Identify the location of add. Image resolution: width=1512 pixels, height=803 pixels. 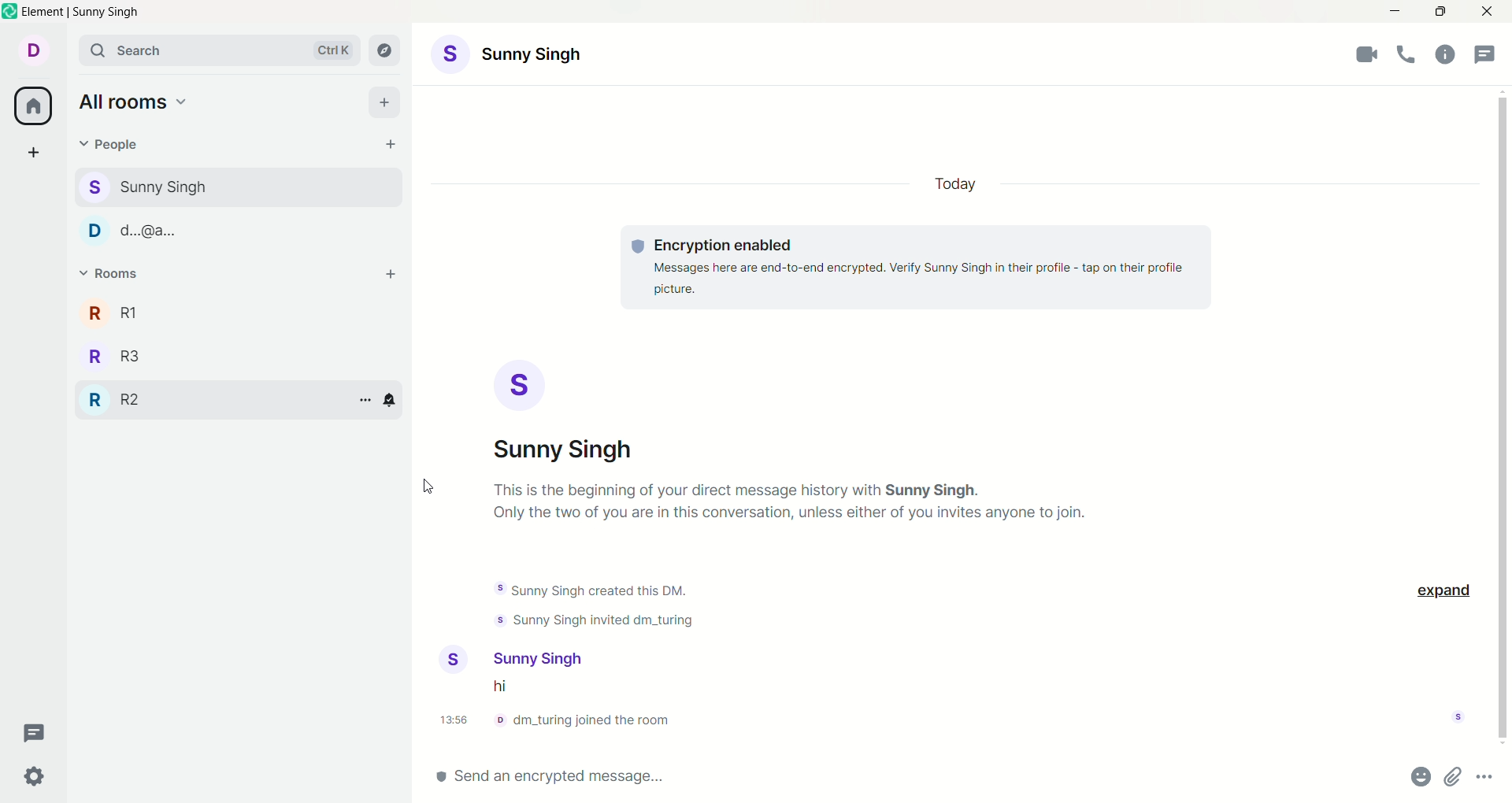
(395, 274).